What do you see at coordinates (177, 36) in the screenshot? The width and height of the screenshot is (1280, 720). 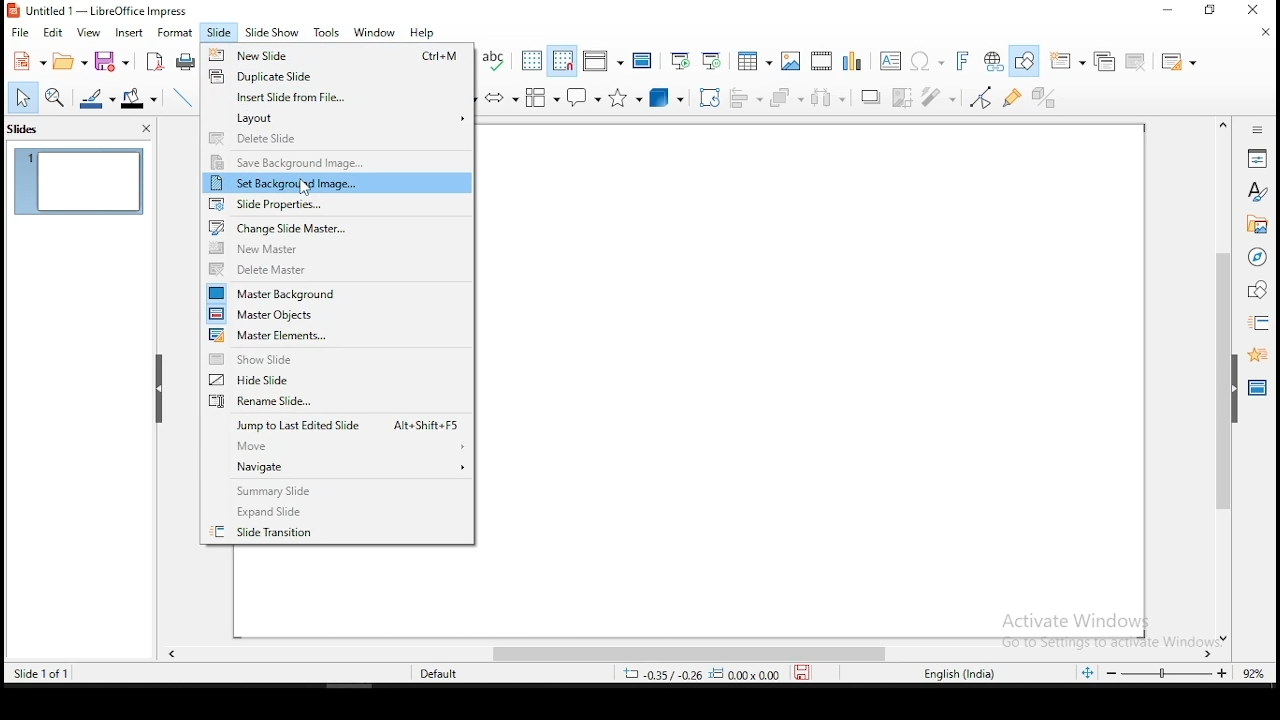 I see `format` at bounding box center [177, 36].